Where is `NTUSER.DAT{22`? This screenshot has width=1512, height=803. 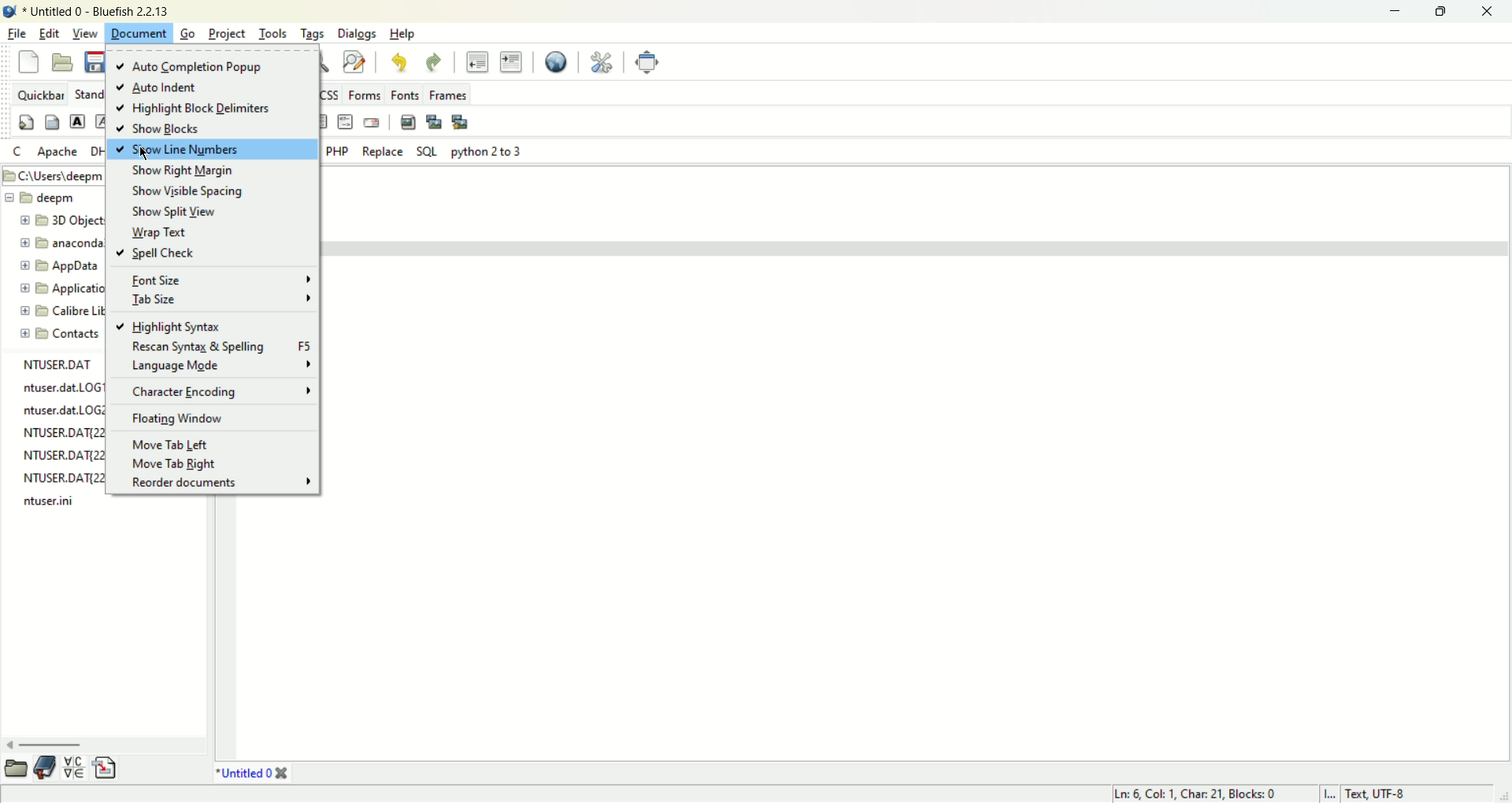 NTUSER.DAT{22 is located at coordinates (62, 454).